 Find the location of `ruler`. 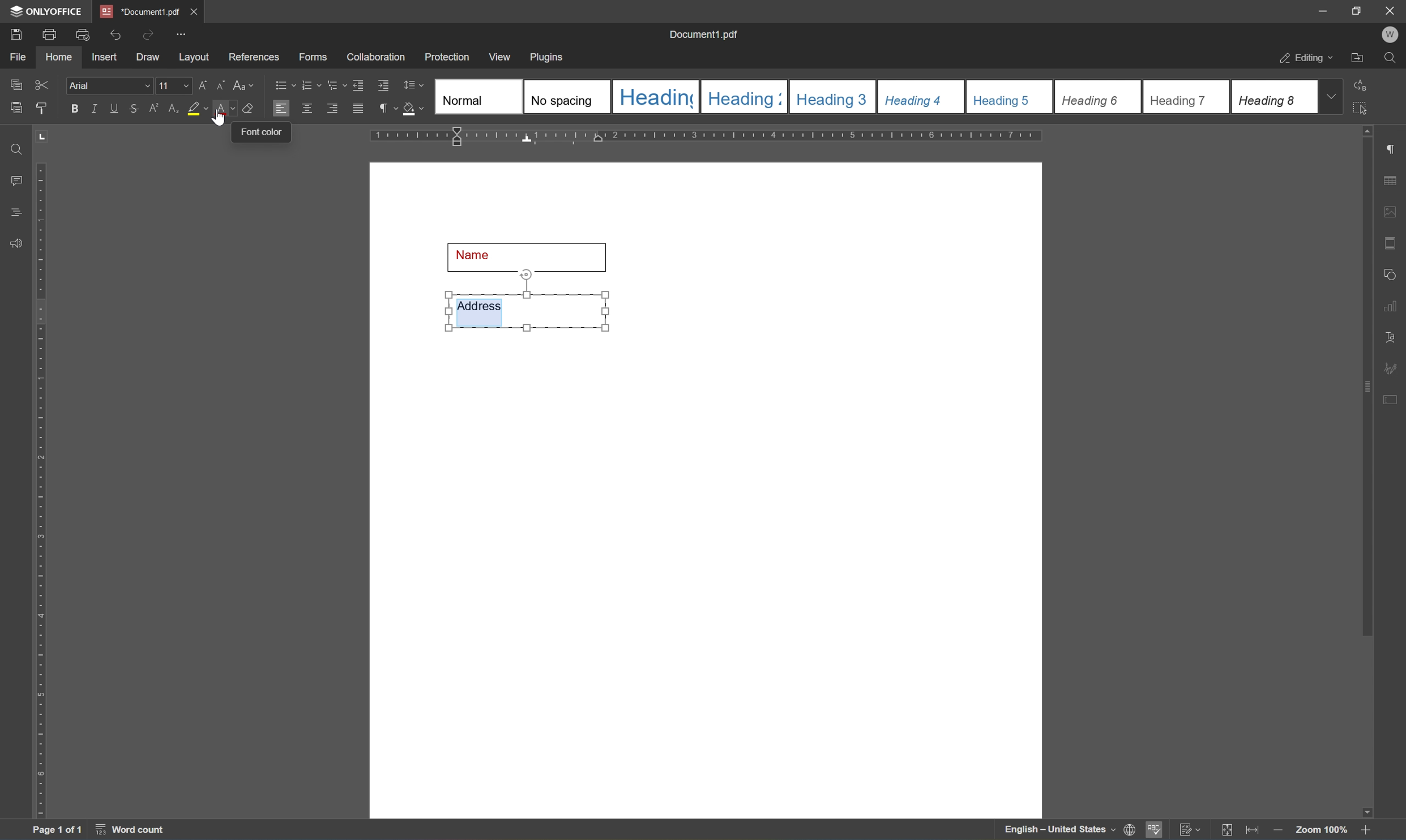

ruler is located at coordinates (41, 491).